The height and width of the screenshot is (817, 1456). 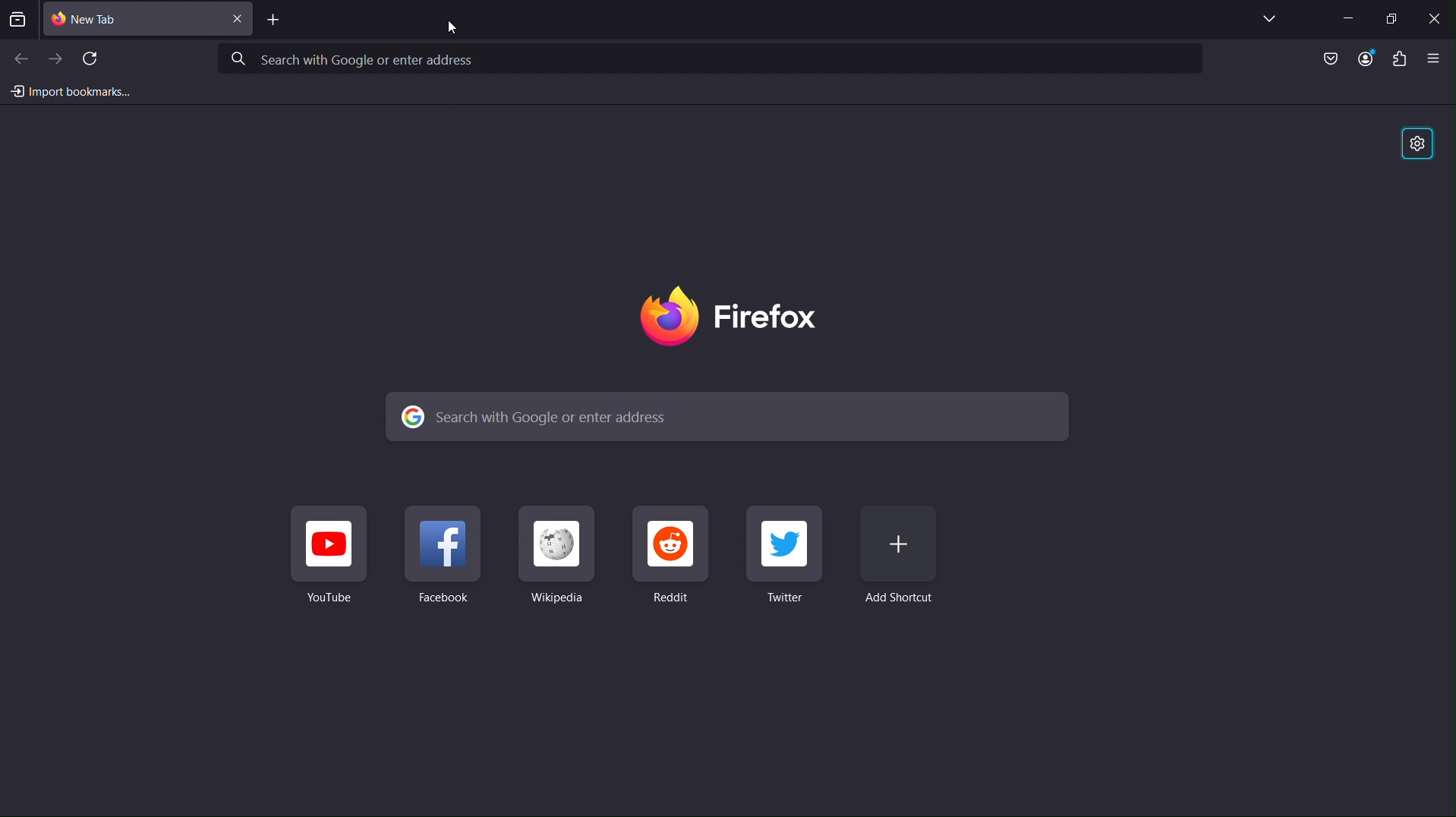 I want to click on firefox logo, so click(x=731, y=318).